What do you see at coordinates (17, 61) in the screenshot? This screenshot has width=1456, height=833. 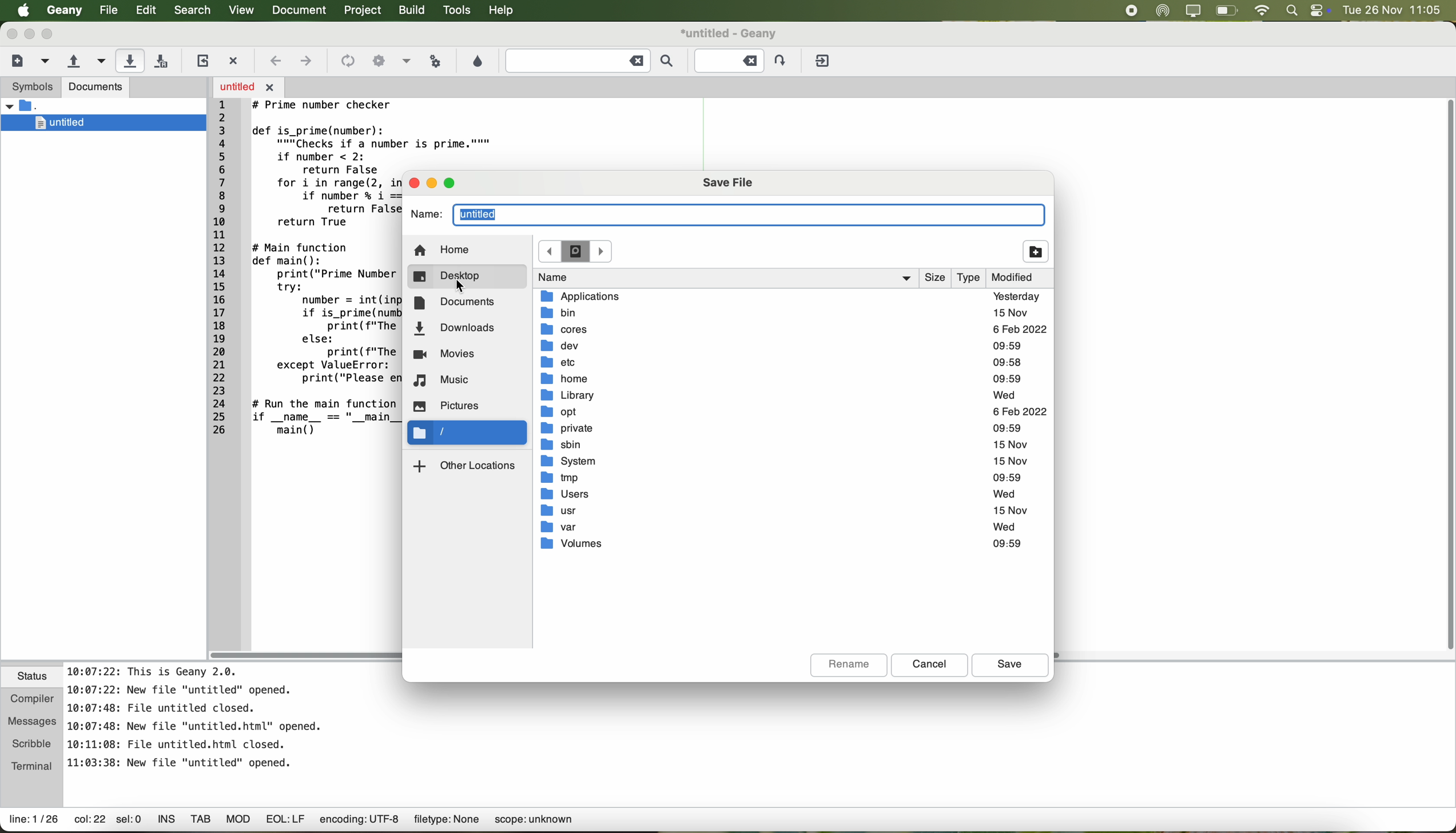 I see `create a new file` at bounding box center [17, 61].